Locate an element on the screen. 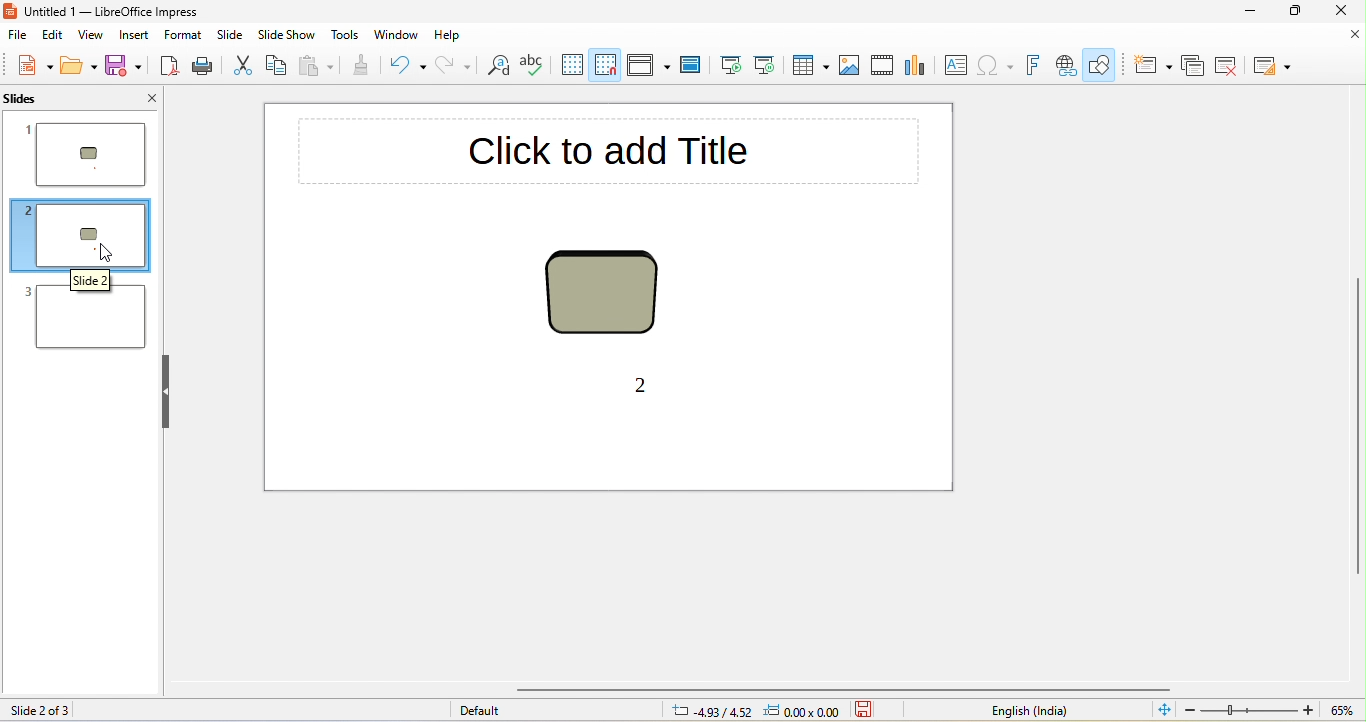 This screenshot has height=722, width=1366. maximize is located at coordinates (1295, 11).